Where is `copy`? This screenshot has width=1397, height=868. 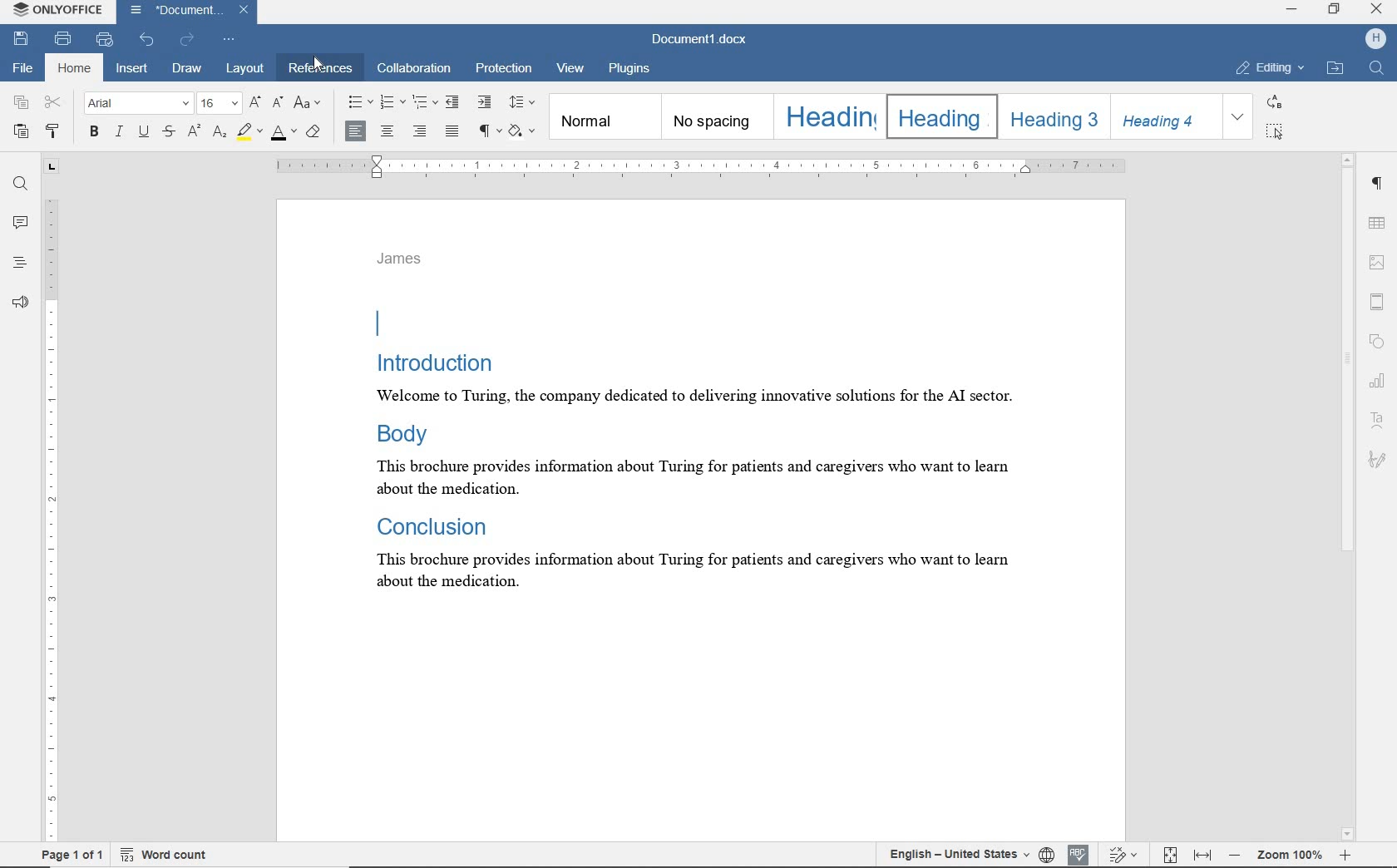 copy is located at coordinates (19, 103).